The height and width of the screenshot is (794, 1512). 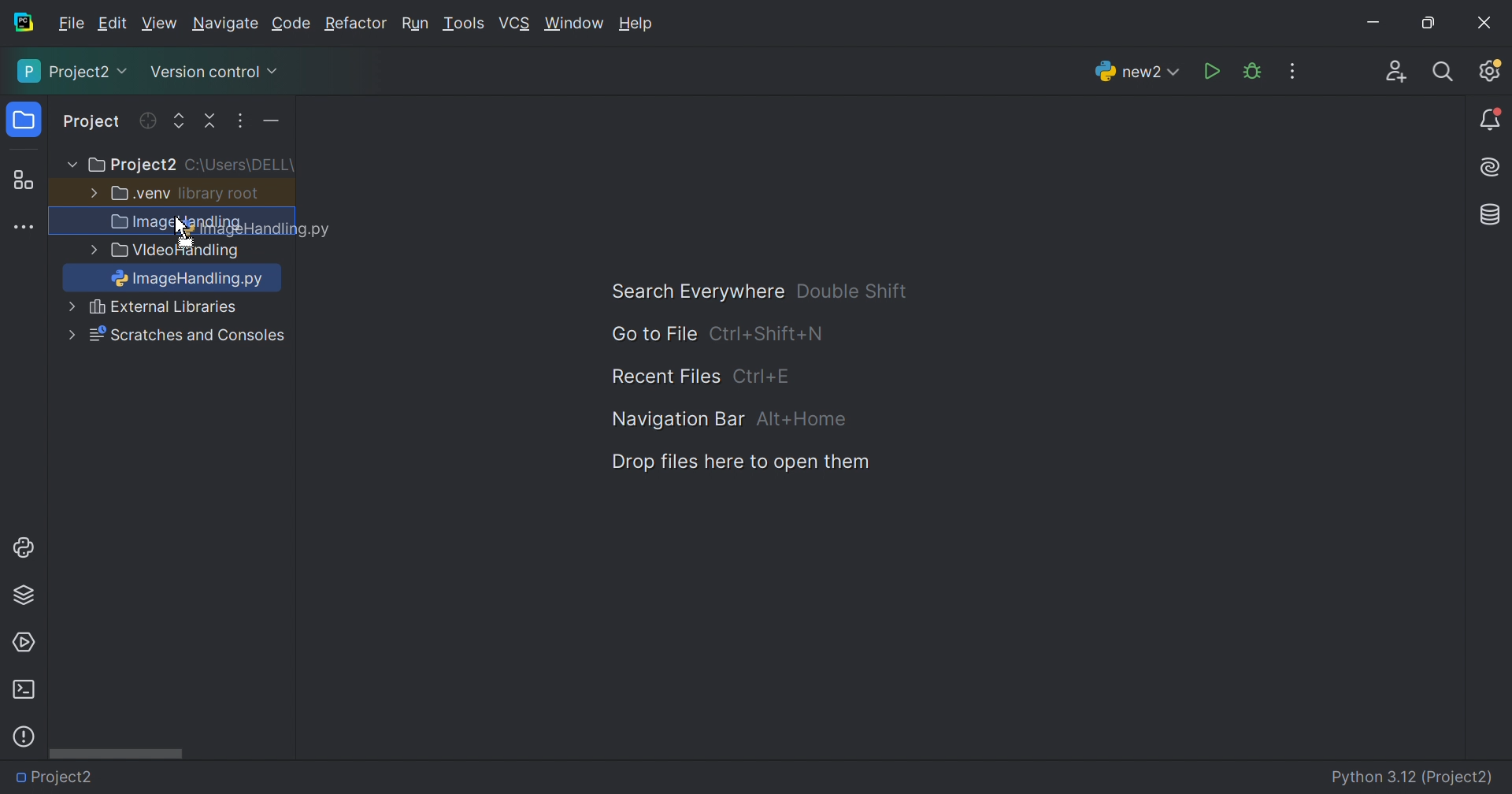 I want to click on External Libraries, so click(x=187, y=336).